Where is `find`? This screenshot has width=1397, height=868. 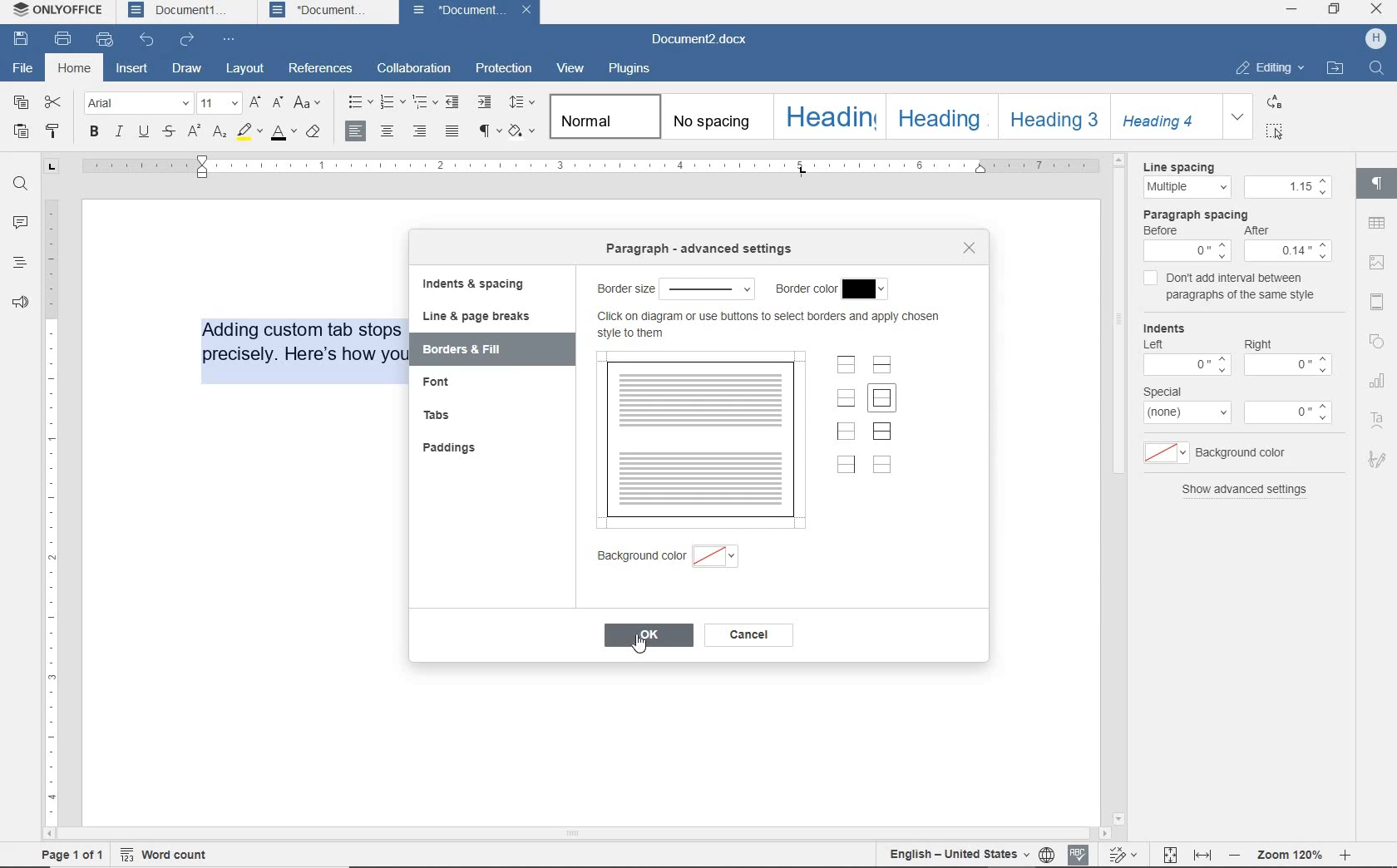 find is located at coordinates (21, 185).